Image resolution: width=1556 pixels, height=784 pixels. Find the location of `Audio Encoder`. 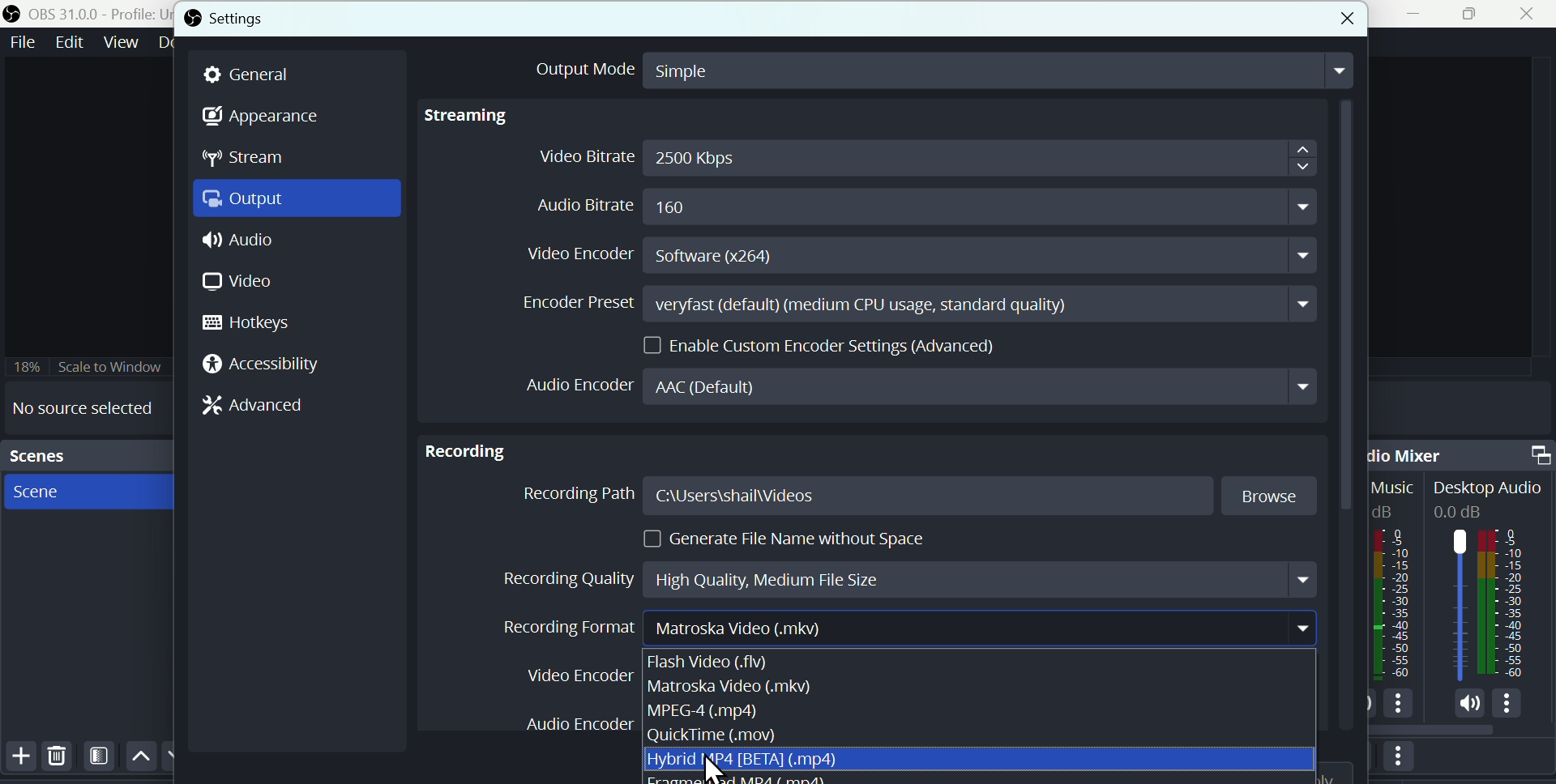

Audio Encoder is located at coordinates (571, 726).